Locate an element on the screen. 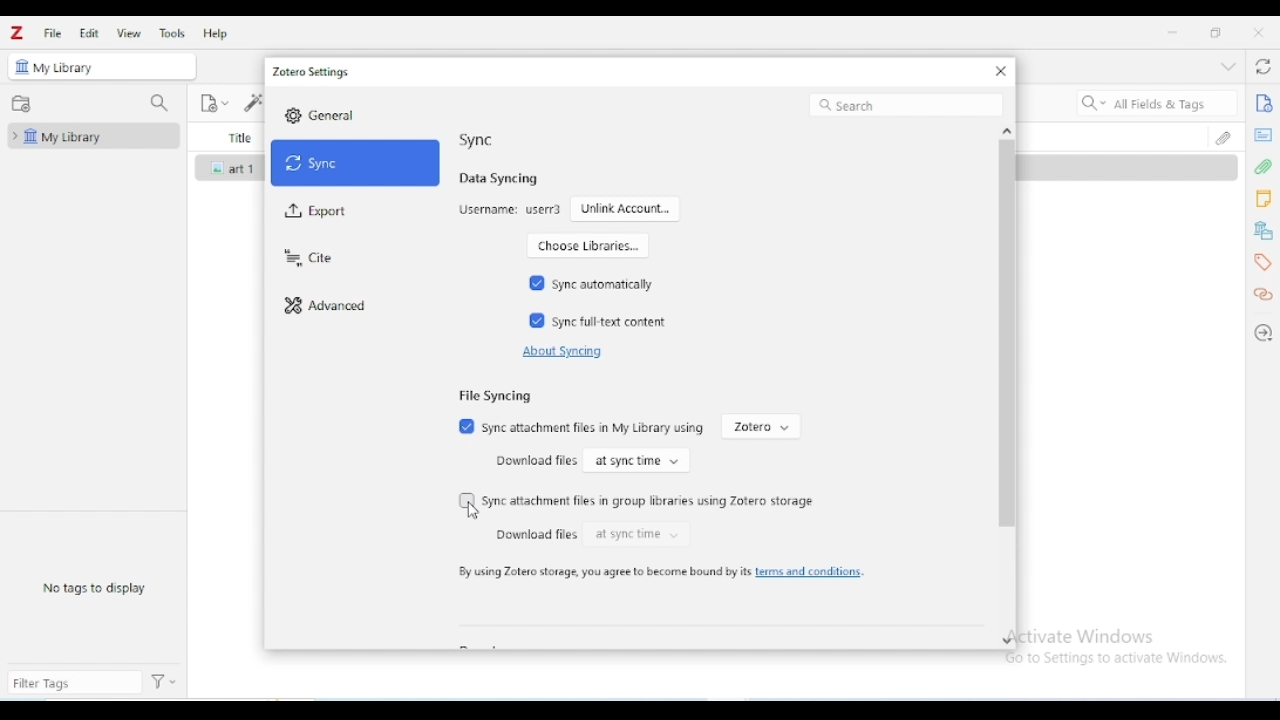 This screenshot has height=720, width=1280. art 1 is located at coordinates (245, 169).